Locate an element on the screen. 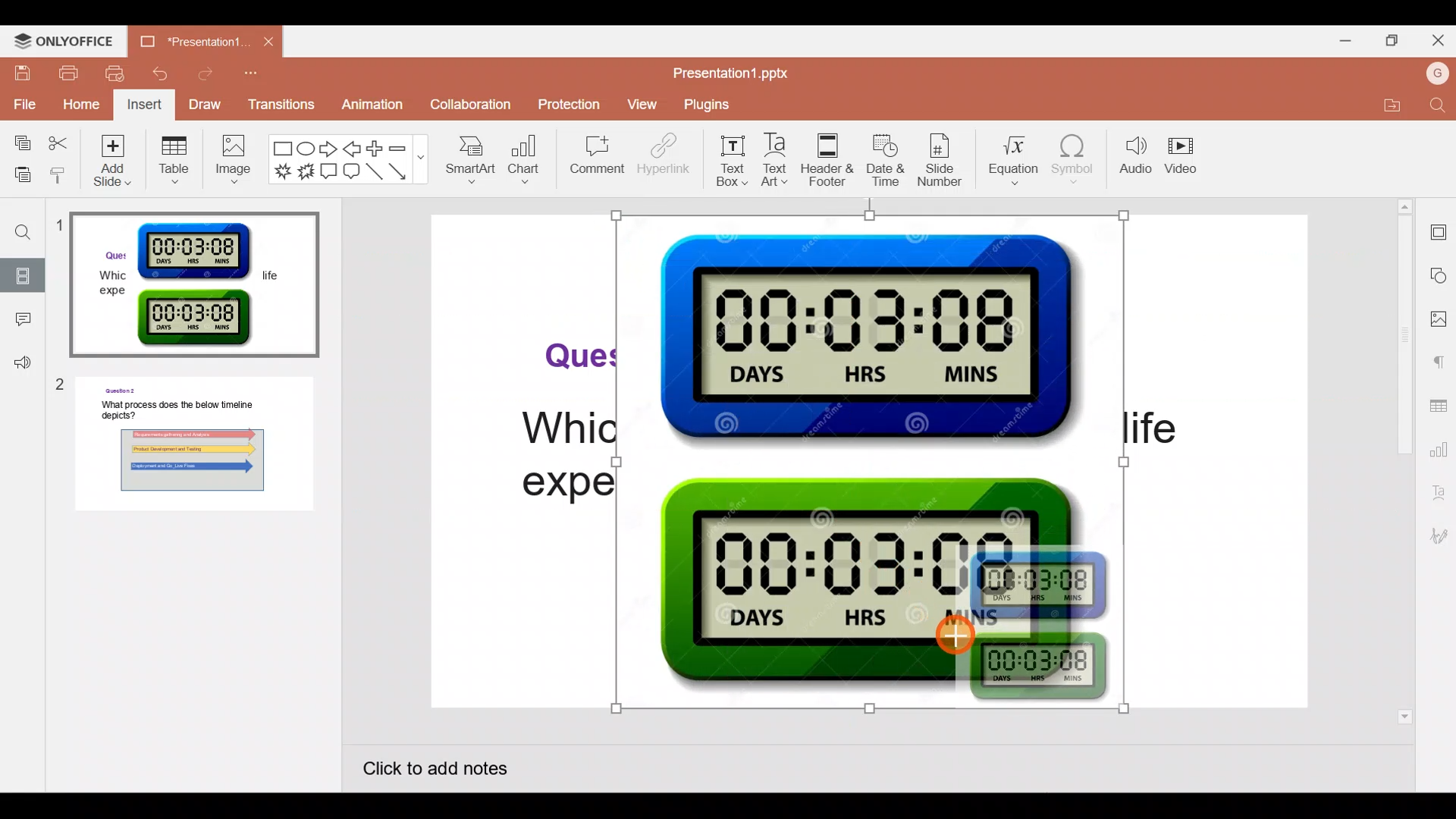 The height and width of the screenshot is (819, 1456). Equation is located at coordinates (1015, 160).